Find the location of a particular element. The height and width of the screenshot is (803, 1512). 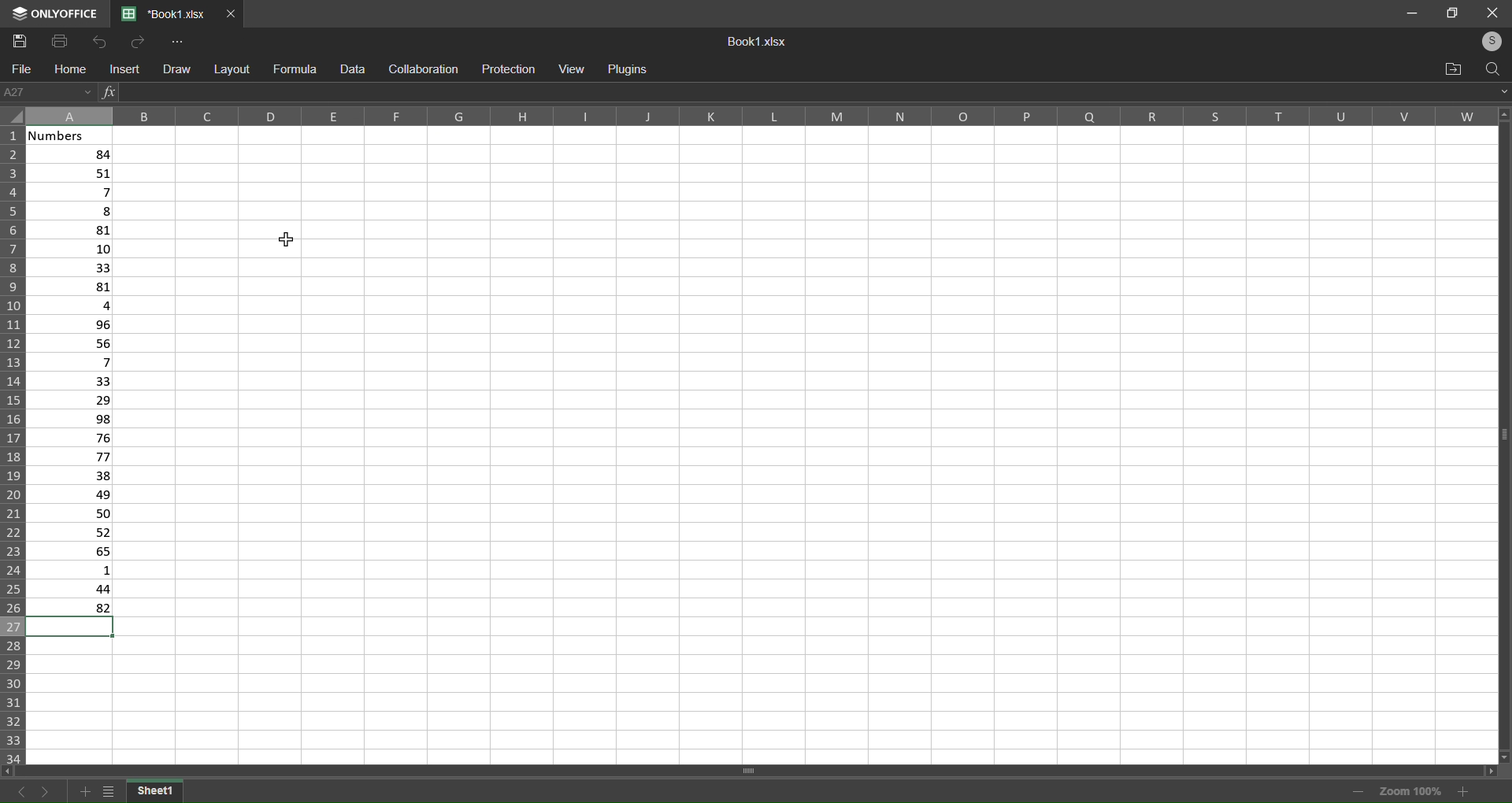

draw is located at coordinates (175, 69).